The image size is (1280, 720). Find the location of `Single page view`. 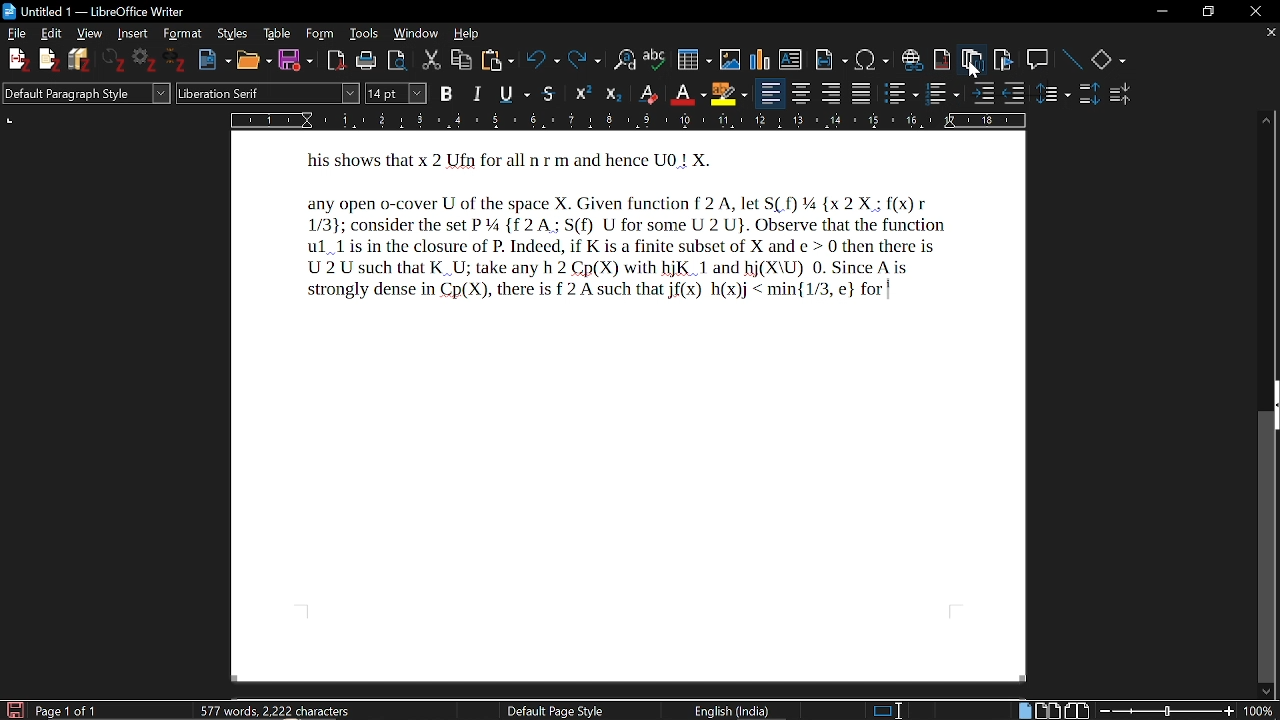

Single page view is located at coordinates (1024, 710).